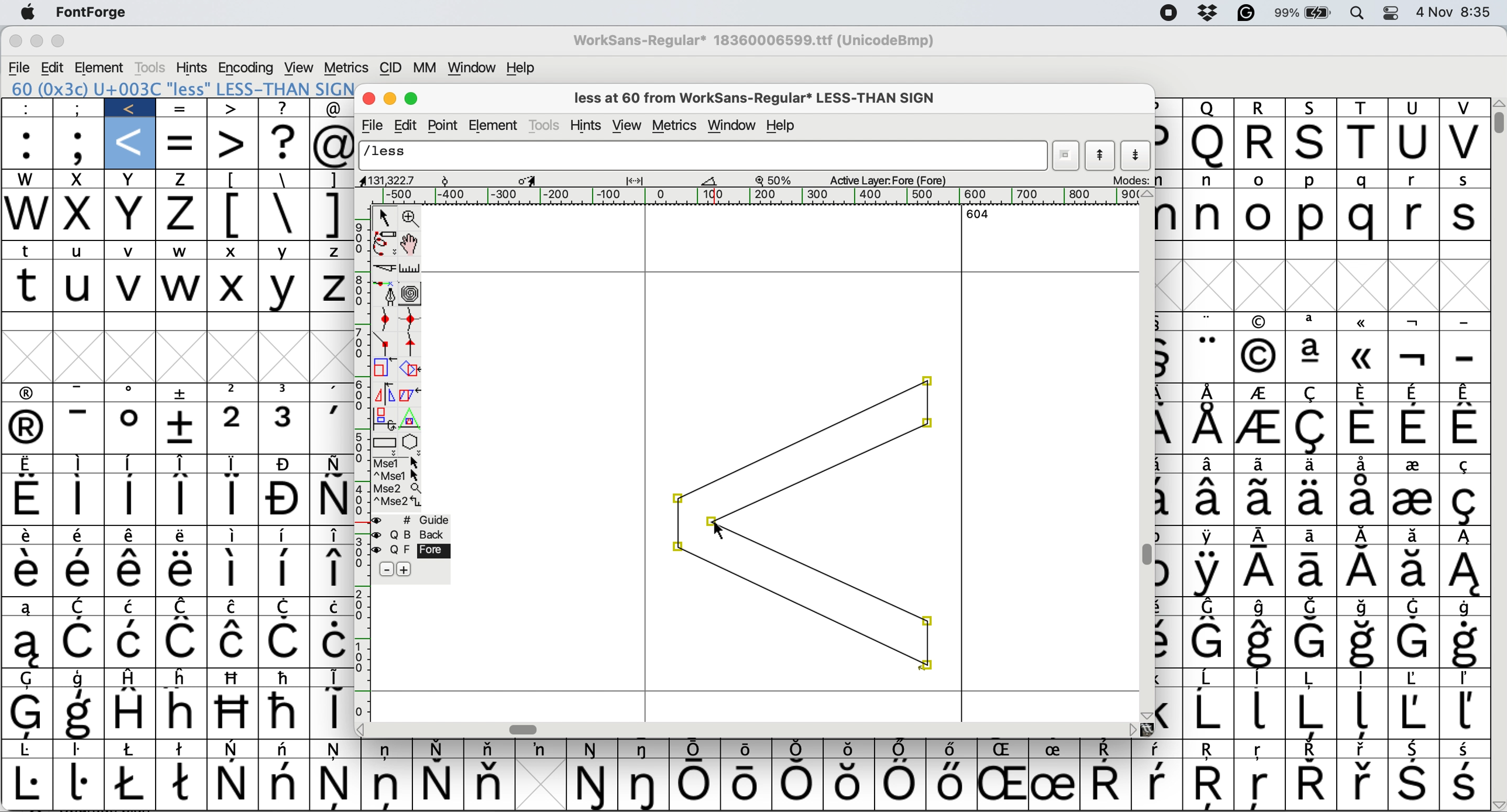  What do you see at coordinates (1264, 537) in the screenshot?
I see `Symbol` at bounding box center [1264, 537].